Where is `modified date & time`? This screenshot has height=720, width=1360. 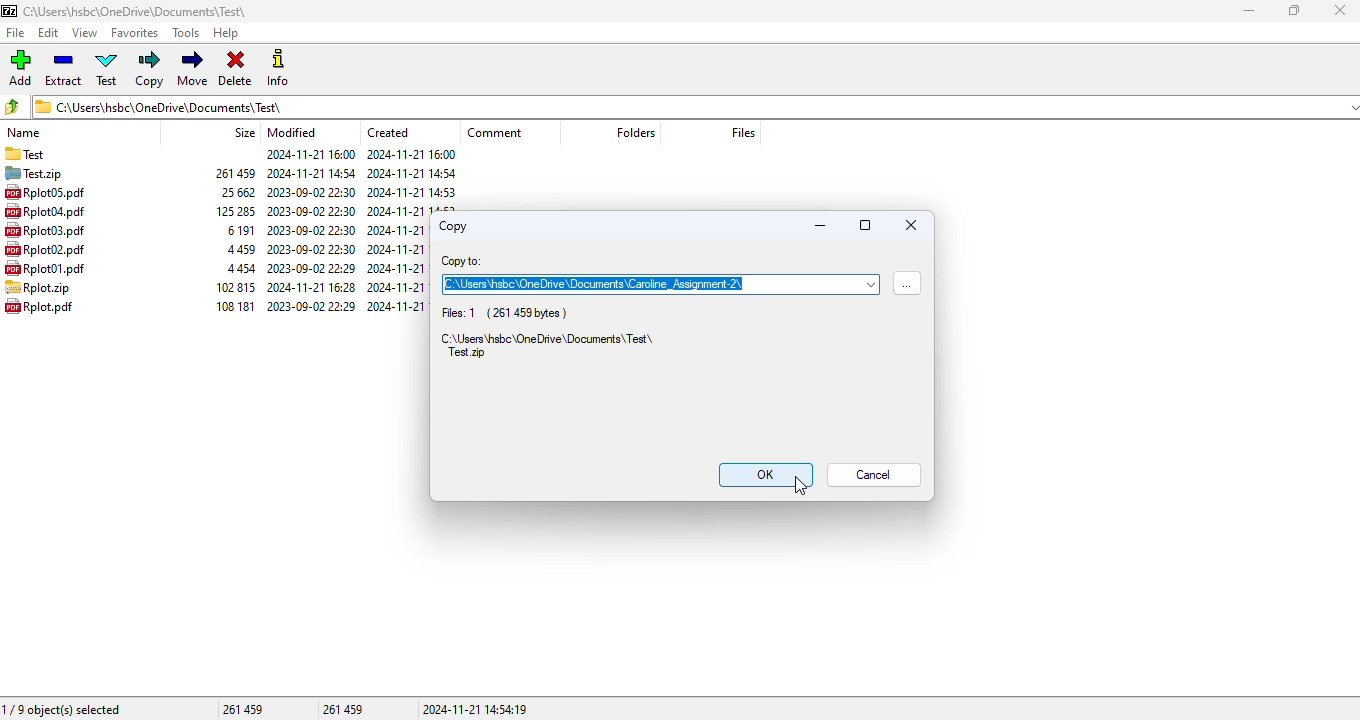
modified date & time is located at coordinates (312, 212).